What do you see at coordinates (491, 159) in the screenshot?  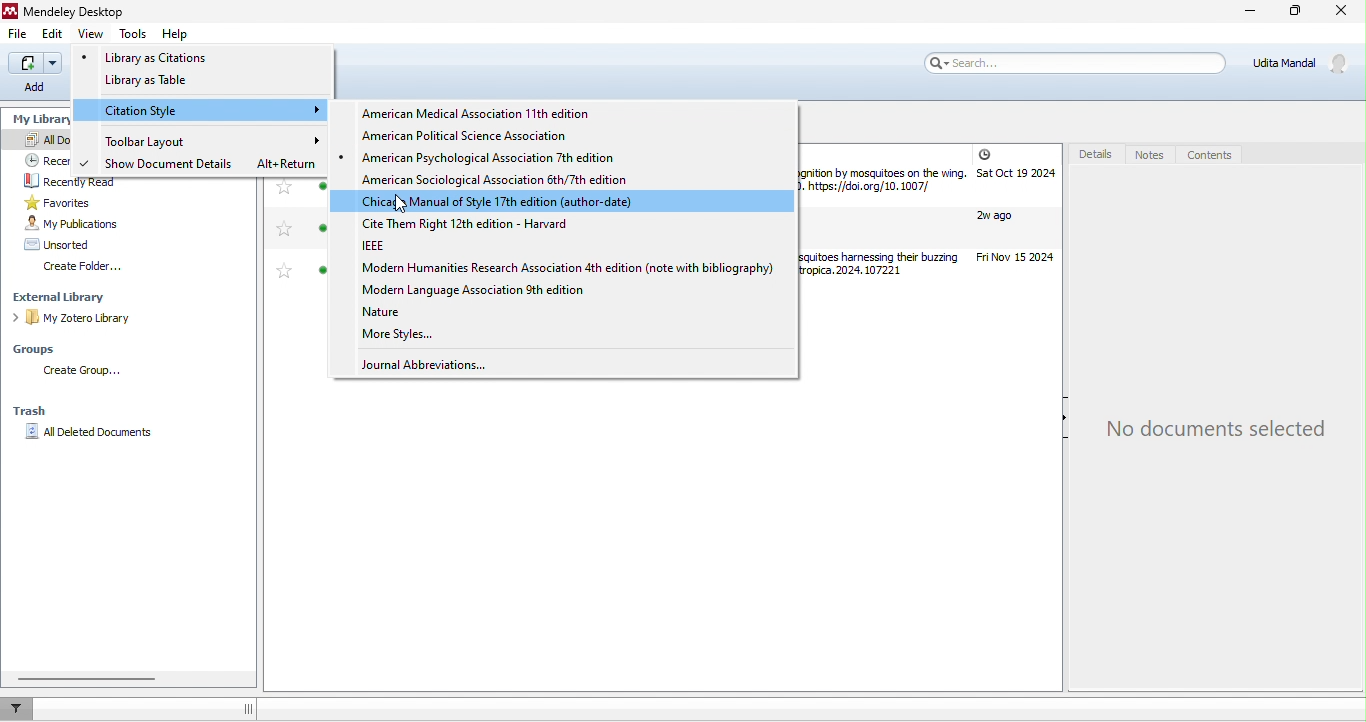 I see `american psycholgical association 7th edition` at bounding box center [491, 159].